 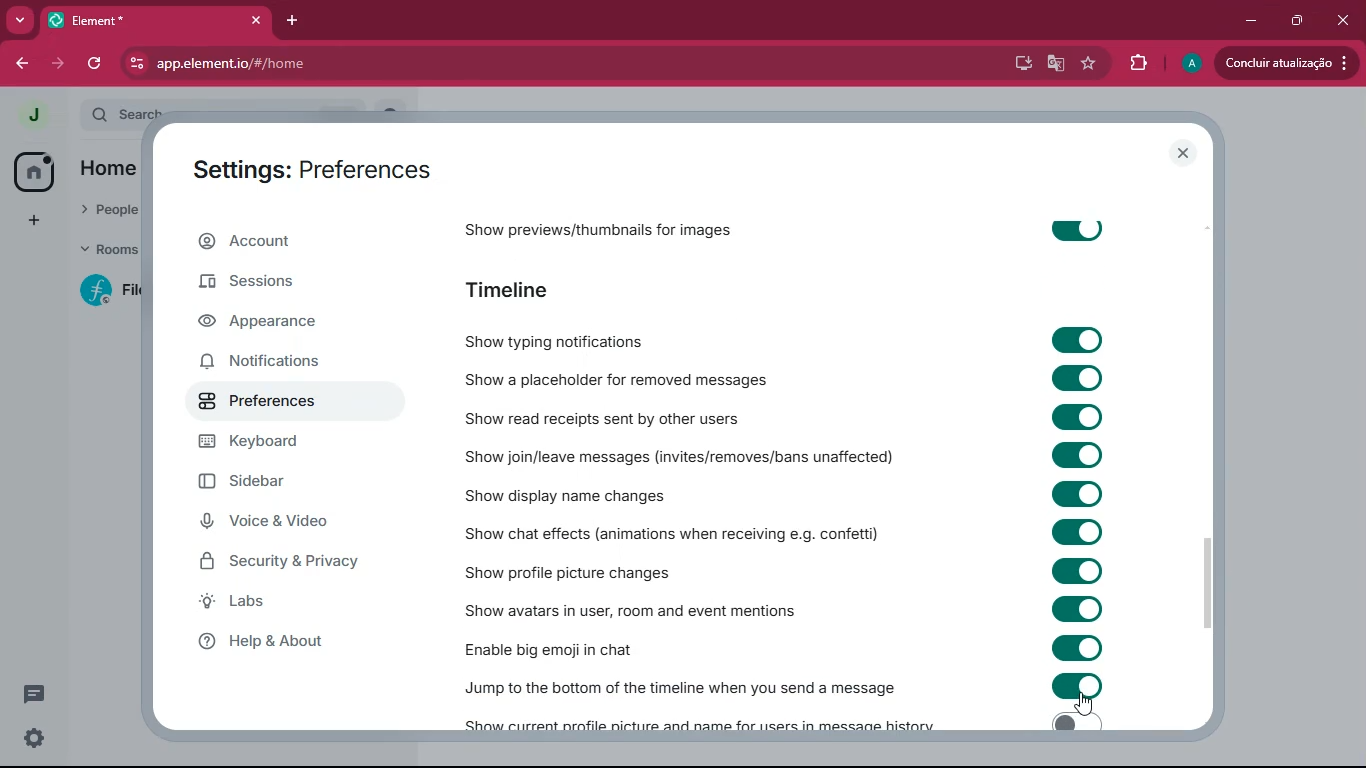 What do you see at coordinates (523, 292) in the screenshot?
I see `timeline` at bounding box center [523, 292].